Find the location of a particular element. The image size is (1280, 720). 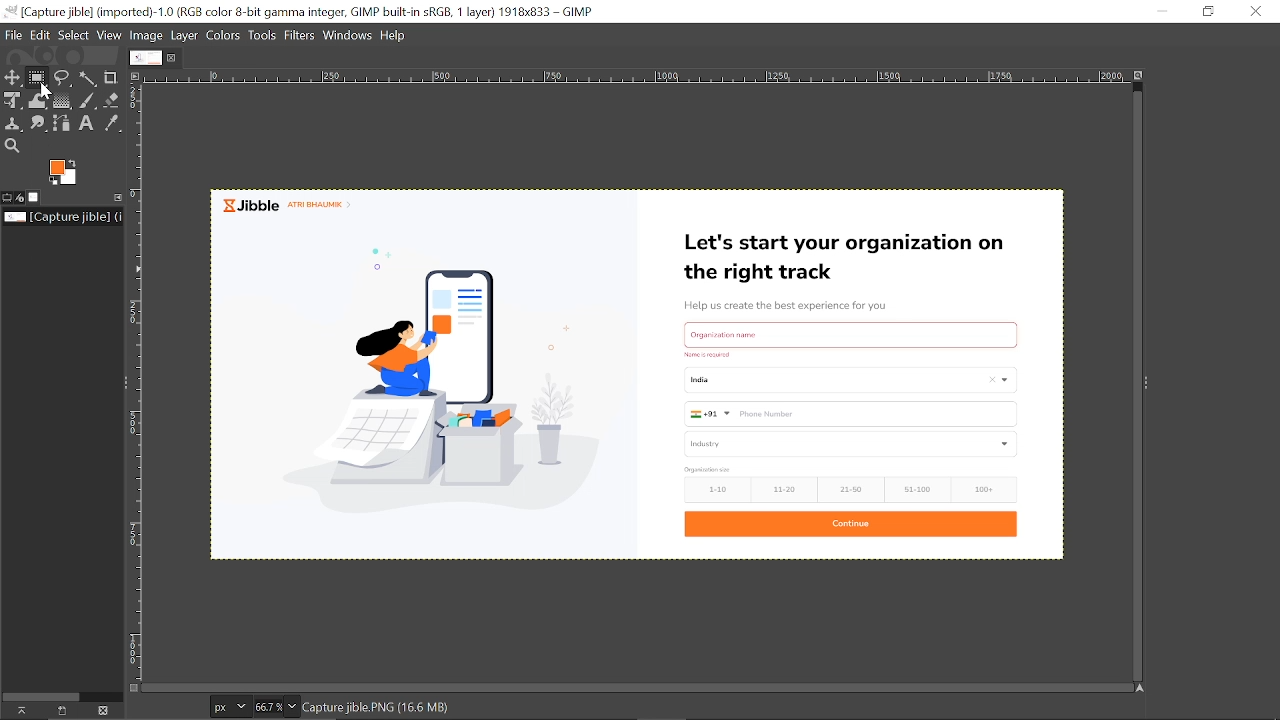

Rectangular select is located at coordinates (36, 81).